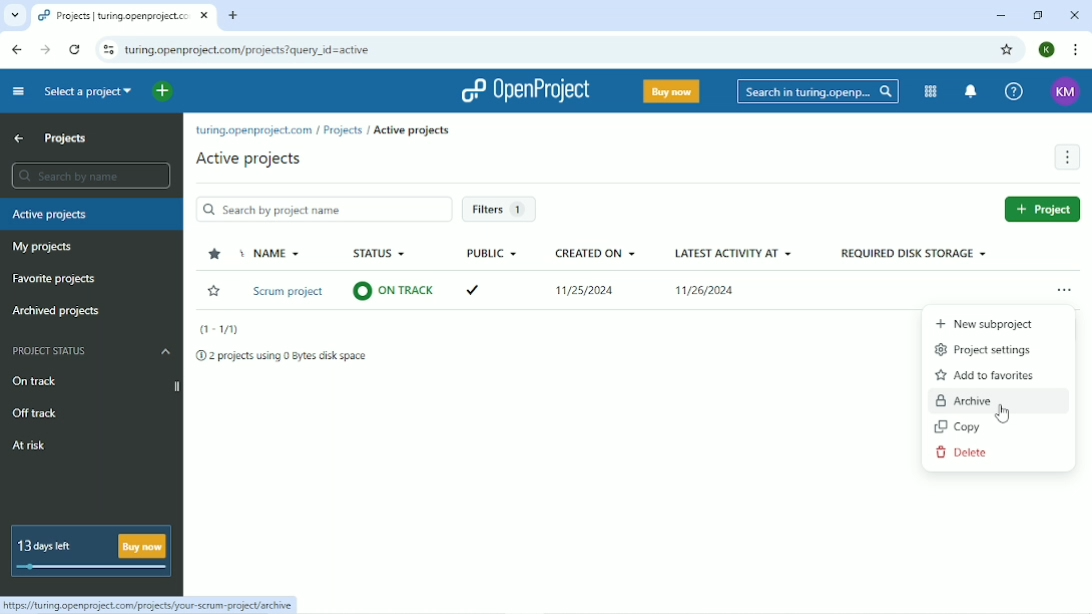 This screenshot has height=614, width=1092. Describe the element at coordinates (145, 542) in the screenshot. I see `Buy now` at that location.